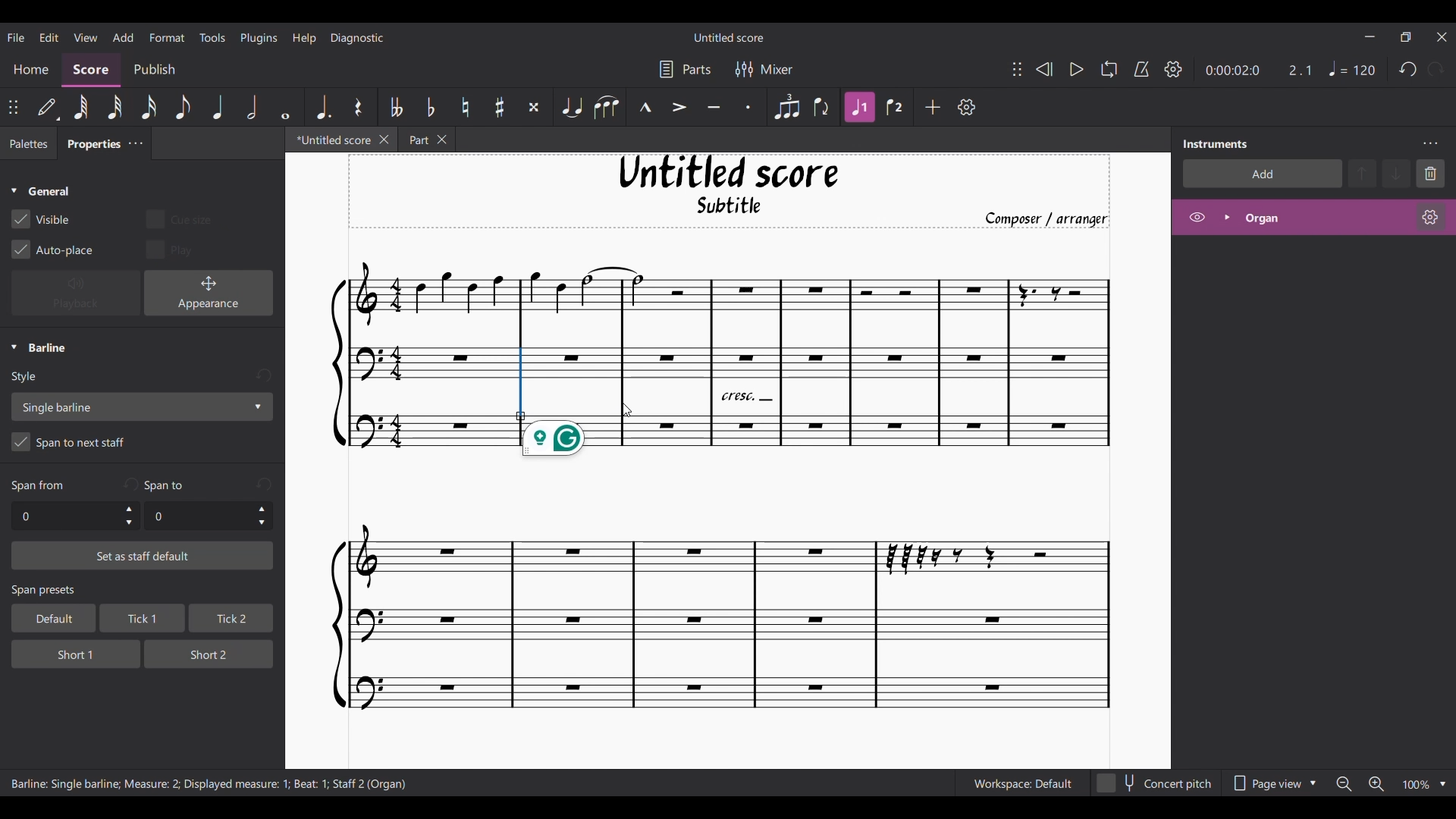 This screenshot has height=819, width=1456. Describe the element at coordinates (358, 107) in the screenshot. I see `Rest` at that location.